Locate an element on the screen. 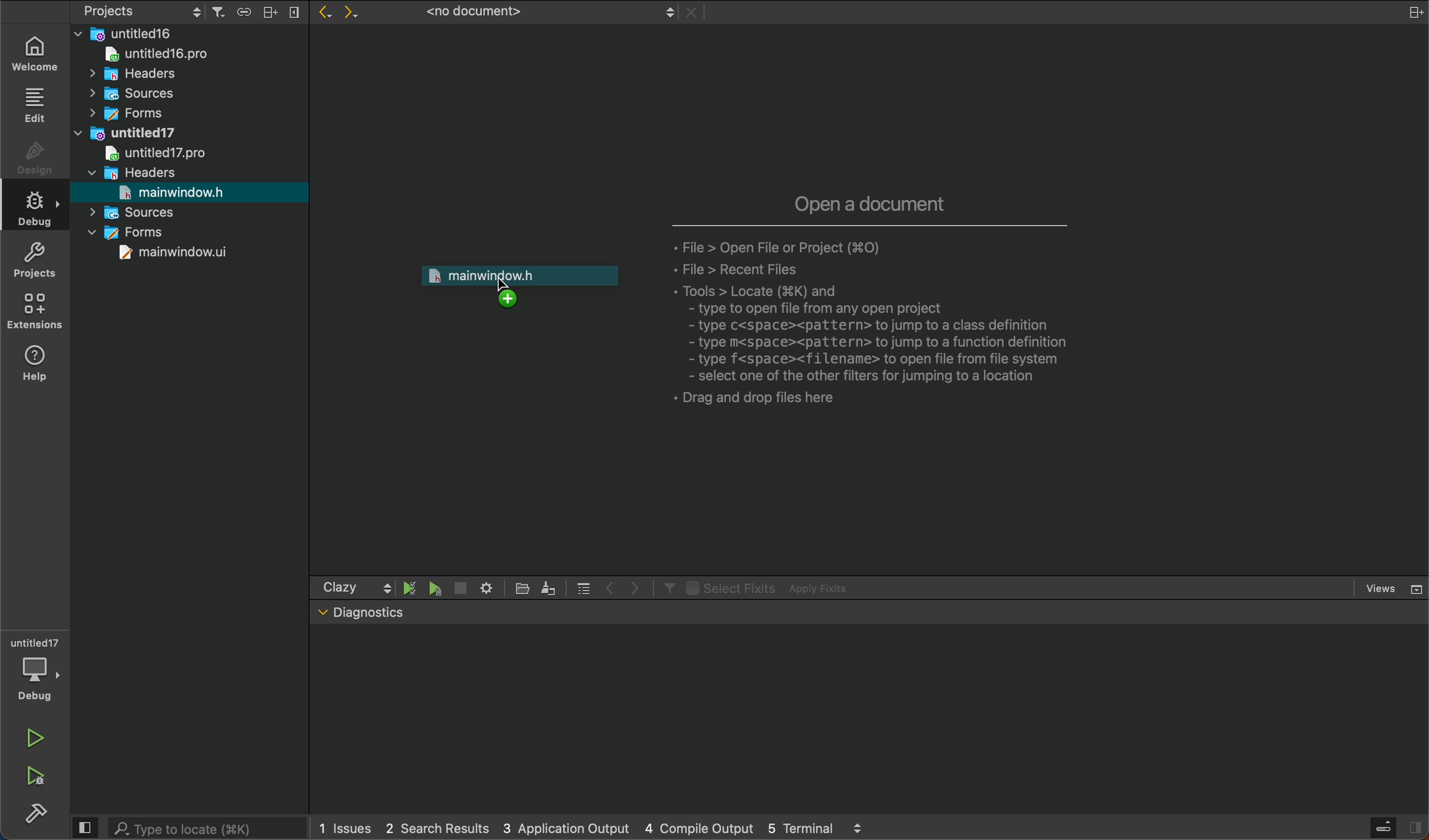 This screenshot has height=840, width=1429. Select fixits is located at coordinates (729, 587).